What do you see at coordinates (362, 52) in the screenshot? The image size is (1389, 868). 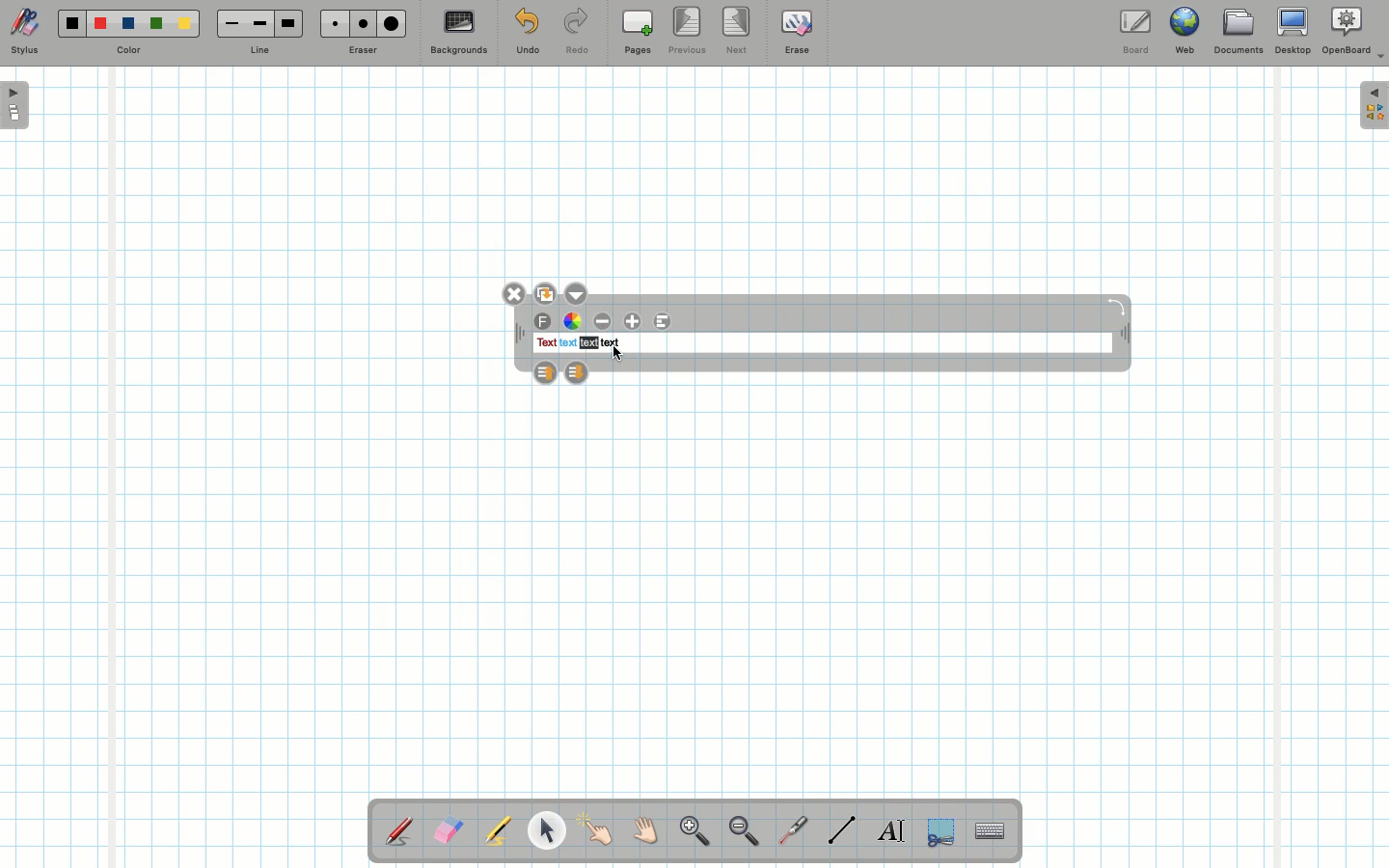 I see `Eraser` at bounding box center [362, 52].